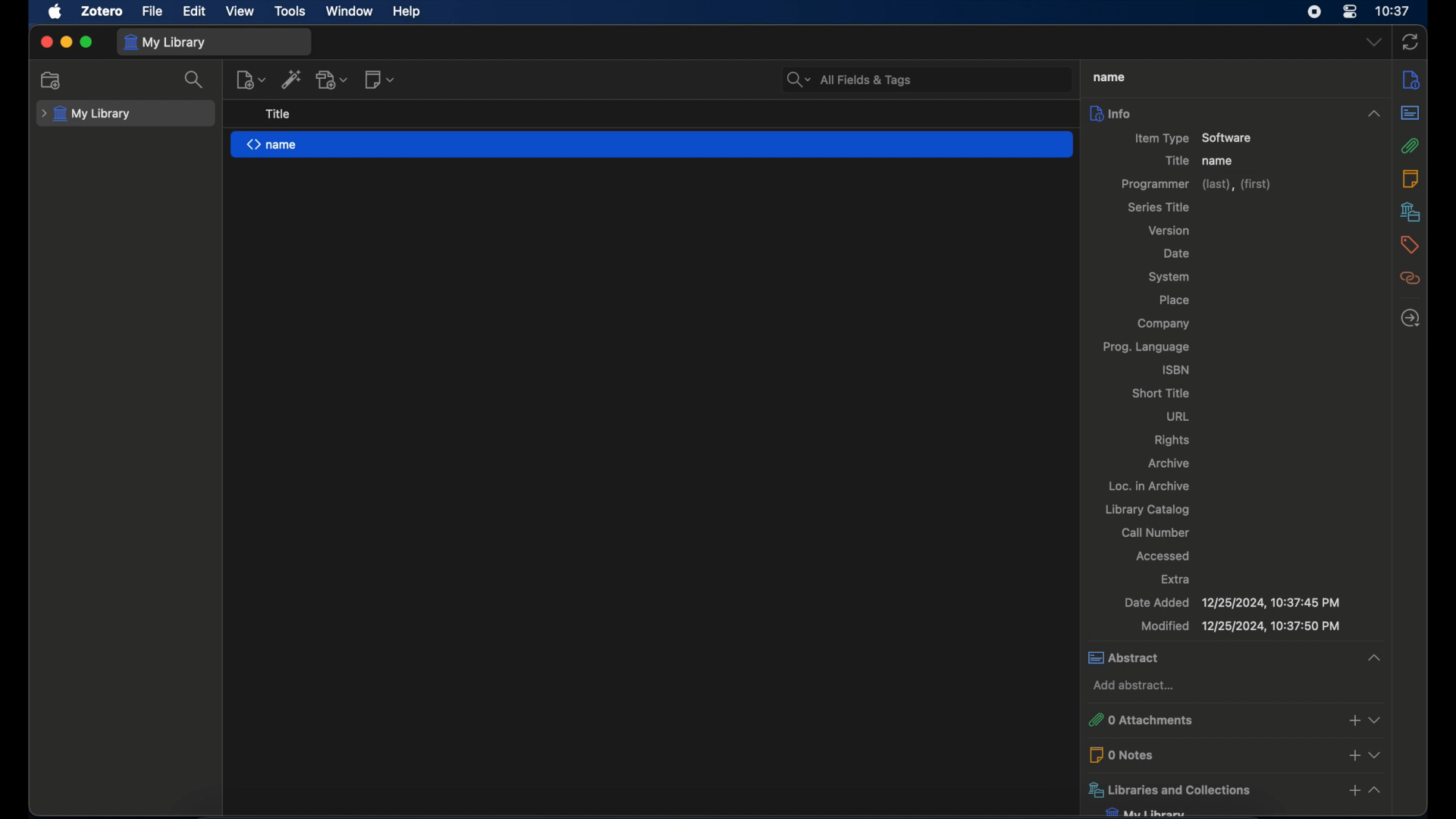  I want to click on rights, so click(1173, 441).